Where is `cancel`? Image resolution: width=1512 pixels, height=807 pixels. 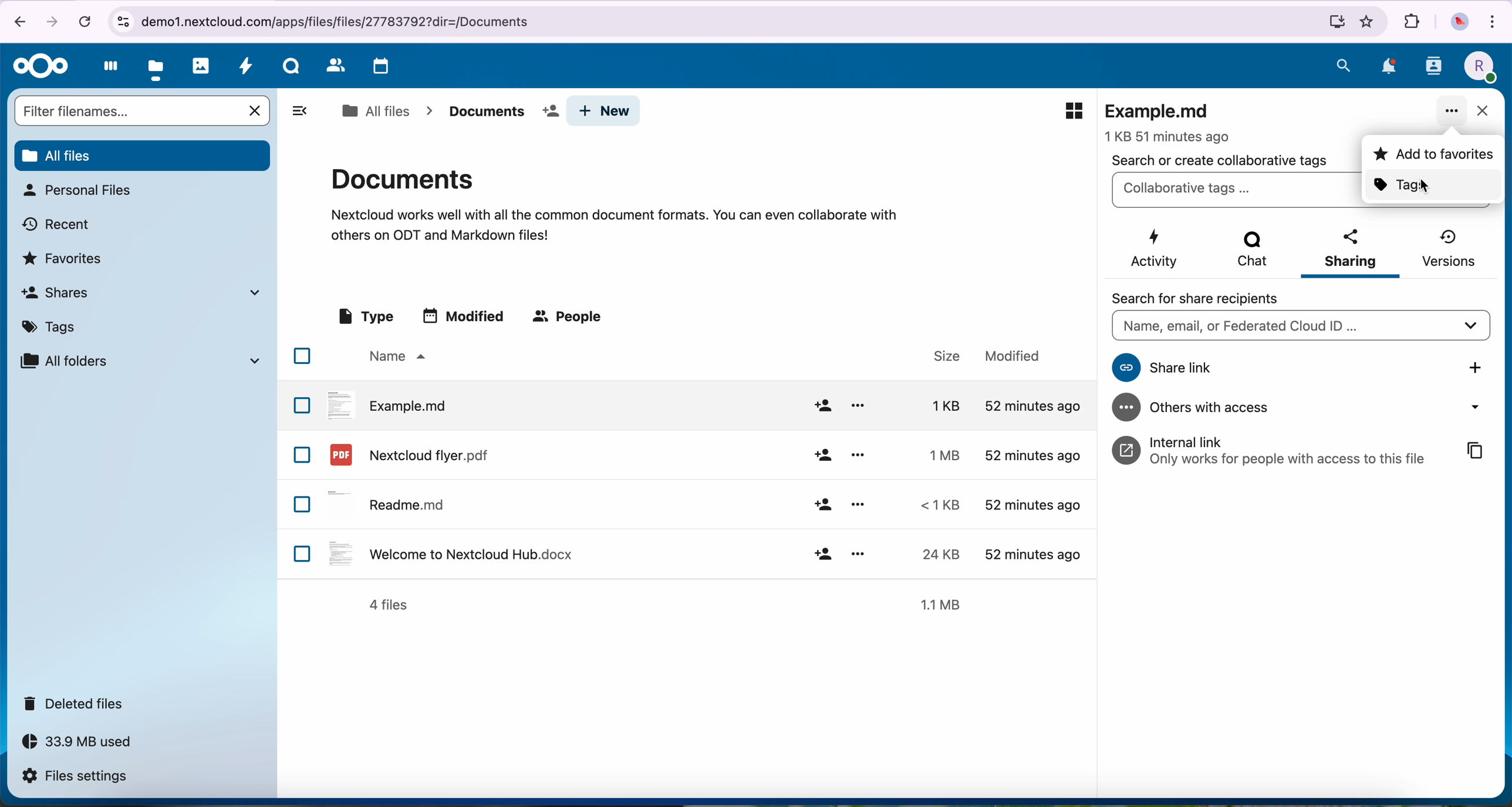 cancel is located at coordinates (84, 21).